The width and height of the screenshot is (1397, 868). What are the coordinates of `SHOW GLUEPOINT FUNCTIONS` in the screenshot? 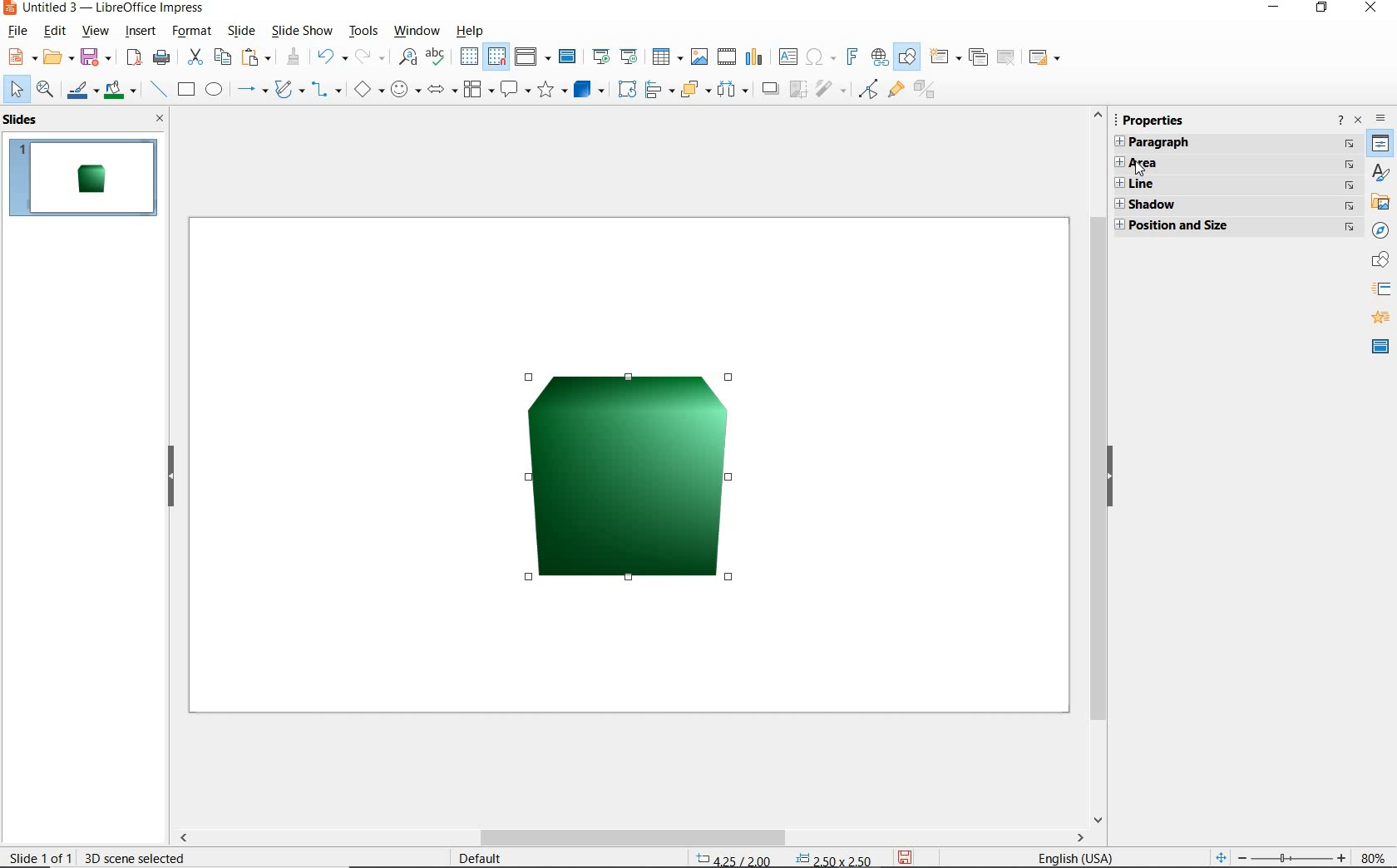 It's located at (896, 91).